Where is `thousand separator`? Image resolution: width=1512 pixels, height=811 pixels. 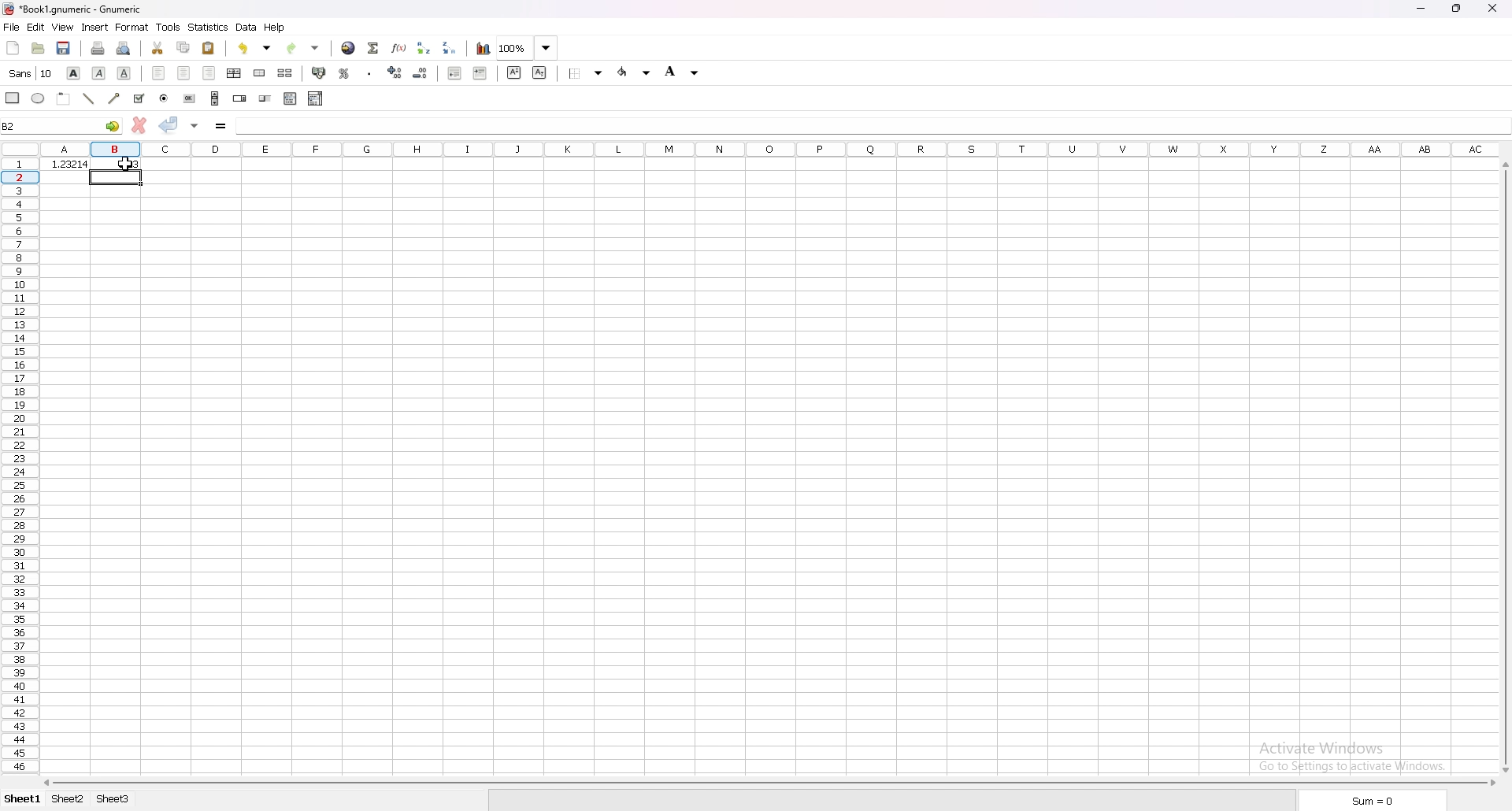
thousand separator is located at coordinates (370, 72).